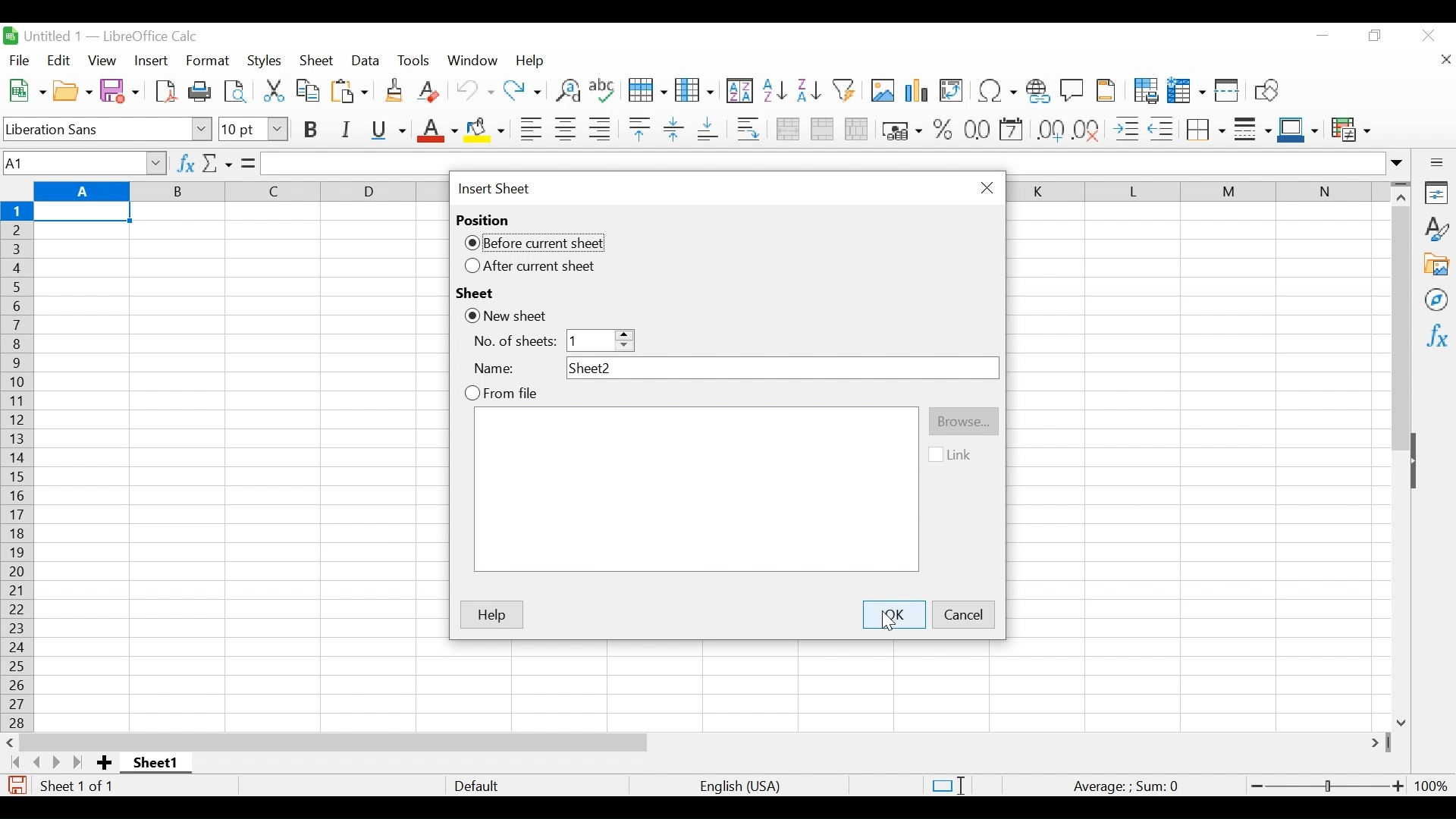 The width and height of the screenshot is (1456, 819). I want to click on Background Color, so click(486, 132).